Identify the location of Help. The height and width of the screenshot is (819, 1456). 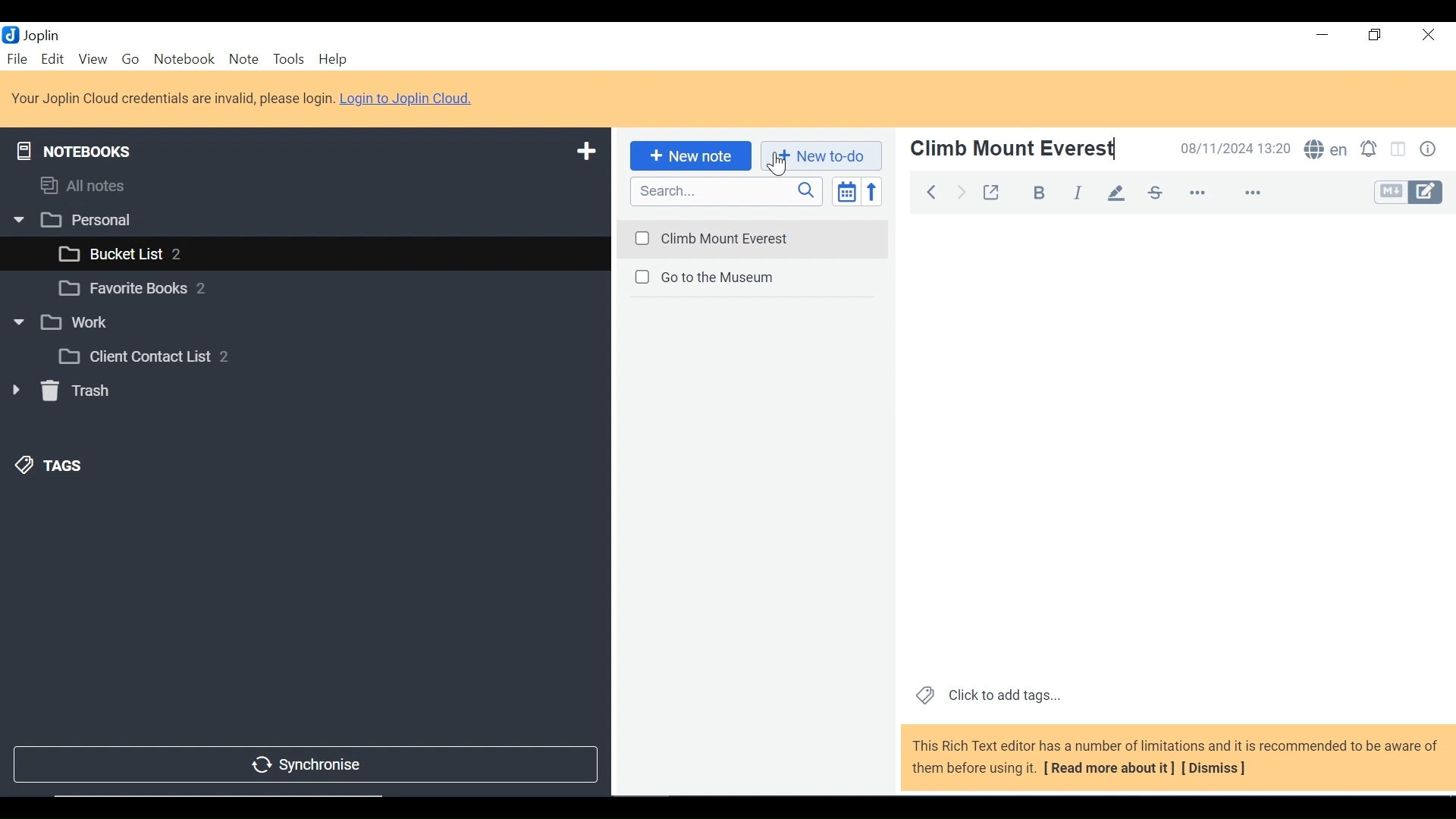
(333, 60).